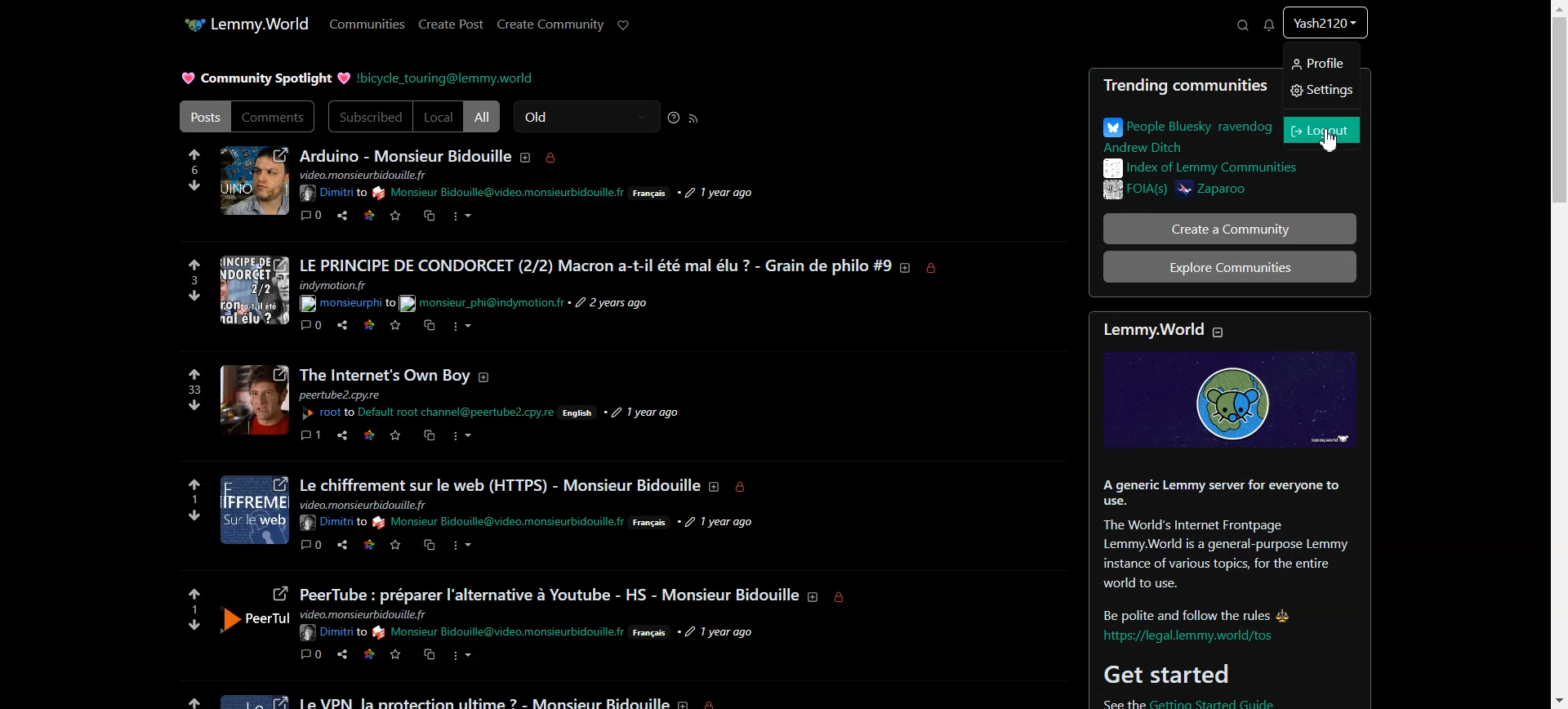 Image resolution: width=1568 pixels, height=709 pixels. I want to click on Unread Message, so click(1269, 25).